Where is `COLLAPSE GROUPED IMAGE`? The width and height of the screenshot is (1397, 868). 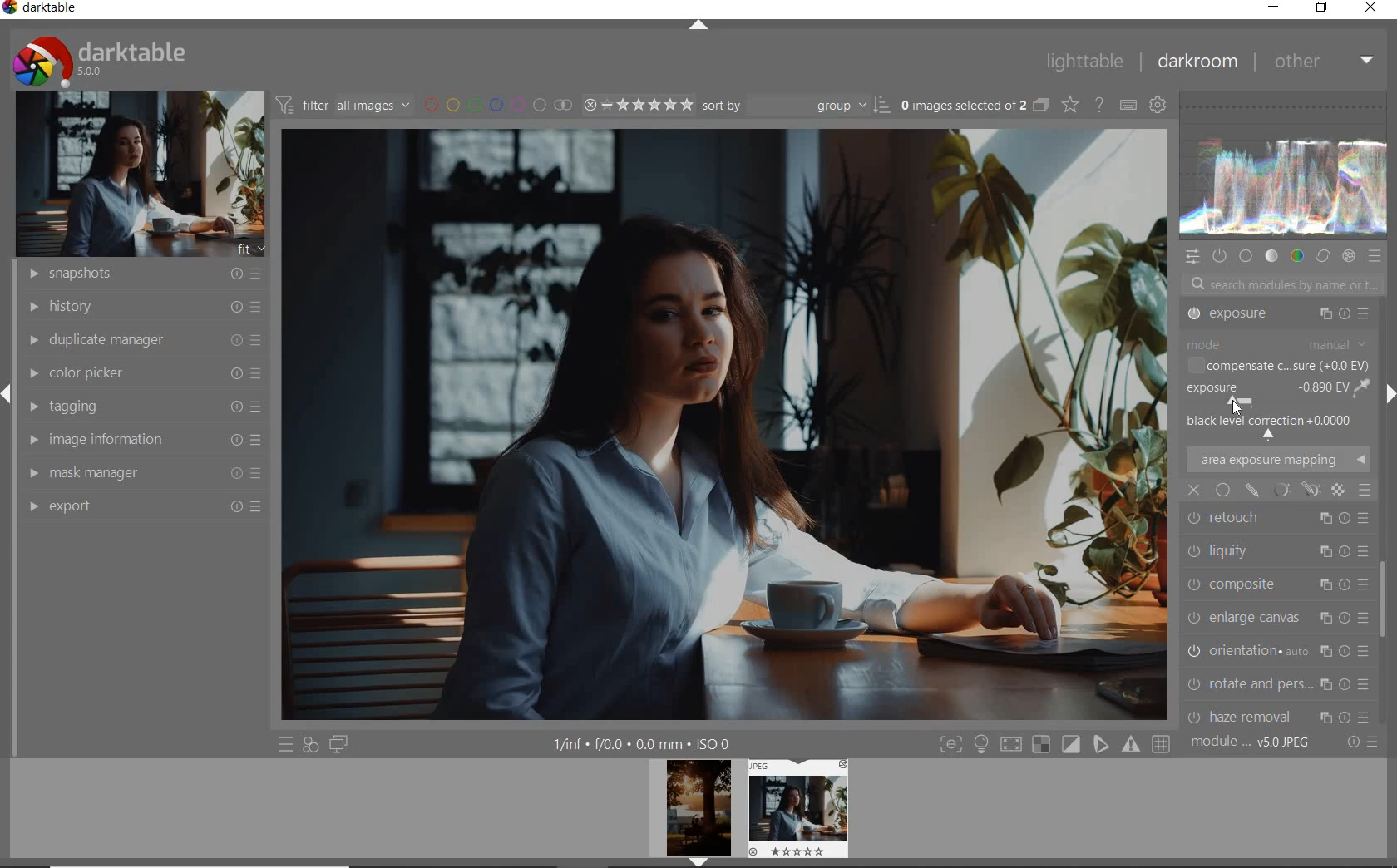 COLLAPSE GROUPED IMAGE is located at coordinates (1040, 106).